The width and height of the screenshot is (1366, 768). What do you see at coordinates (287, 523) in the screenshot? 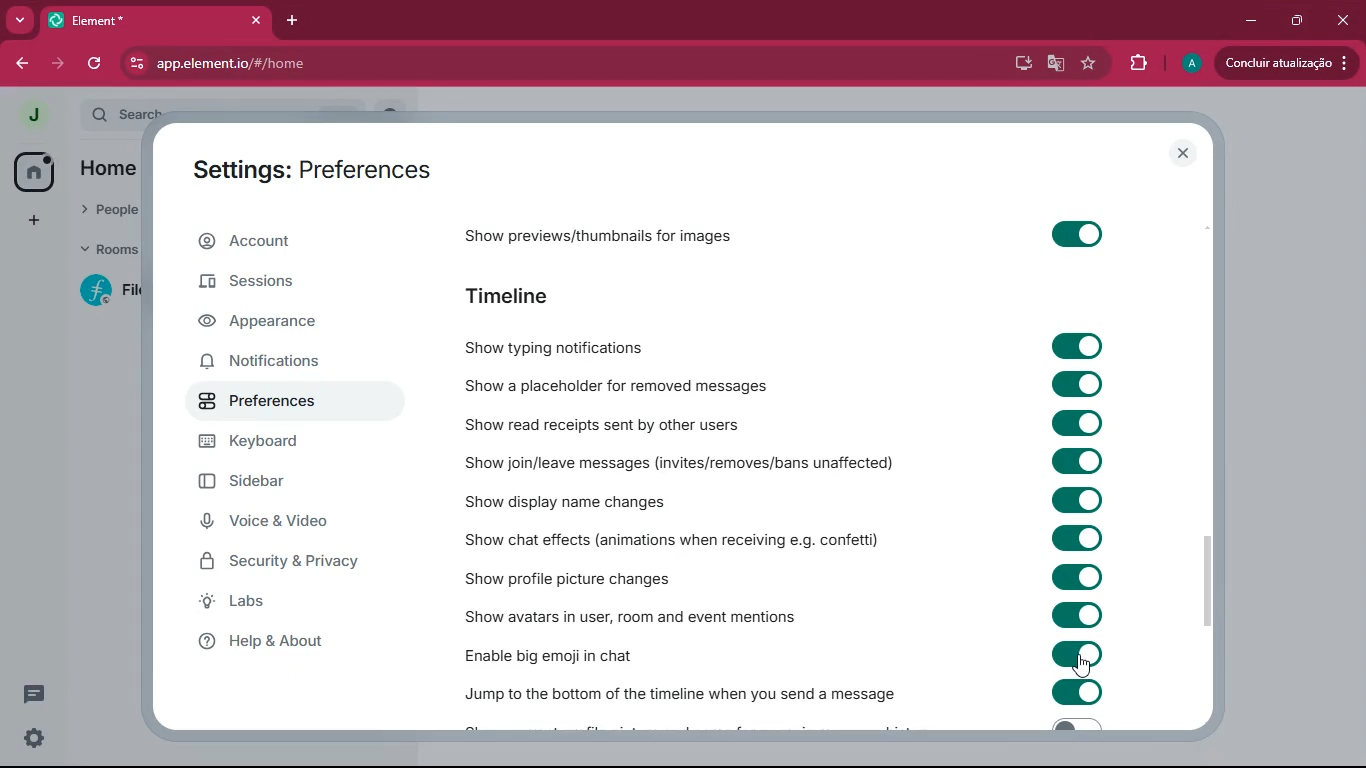
I see `voice & video` at bounding box center [287, 523].